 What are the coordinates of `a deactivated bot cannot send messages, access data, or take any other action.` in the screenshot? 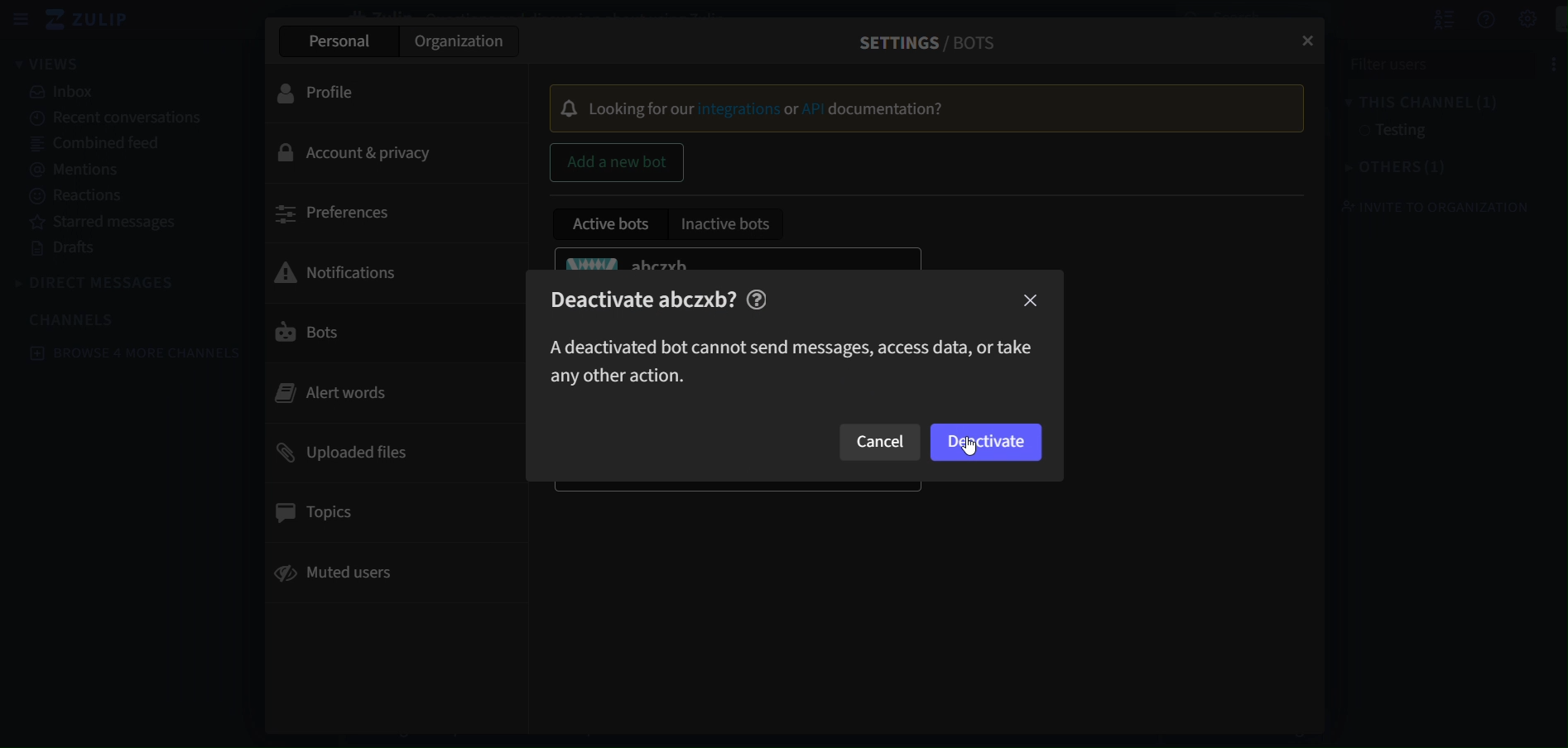 It's located at (789, 358).